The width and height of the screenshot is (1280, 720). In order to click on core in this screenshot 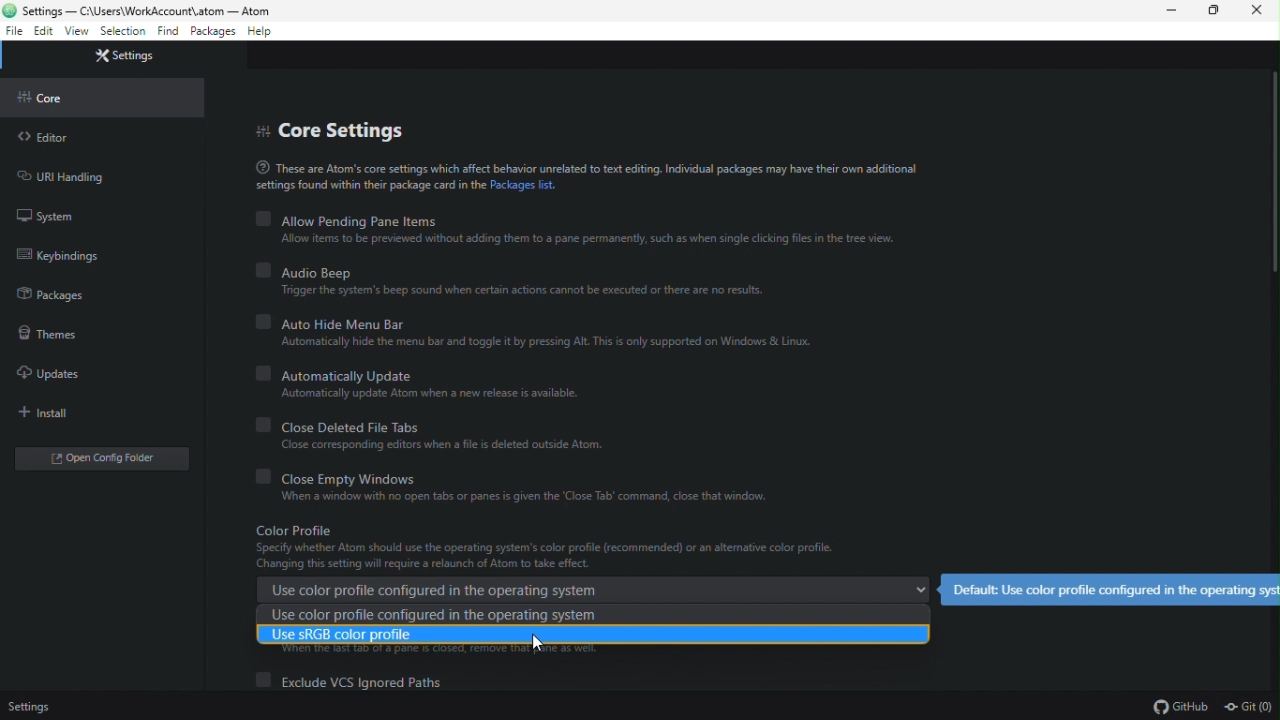, I will do `click(51, 101)`.